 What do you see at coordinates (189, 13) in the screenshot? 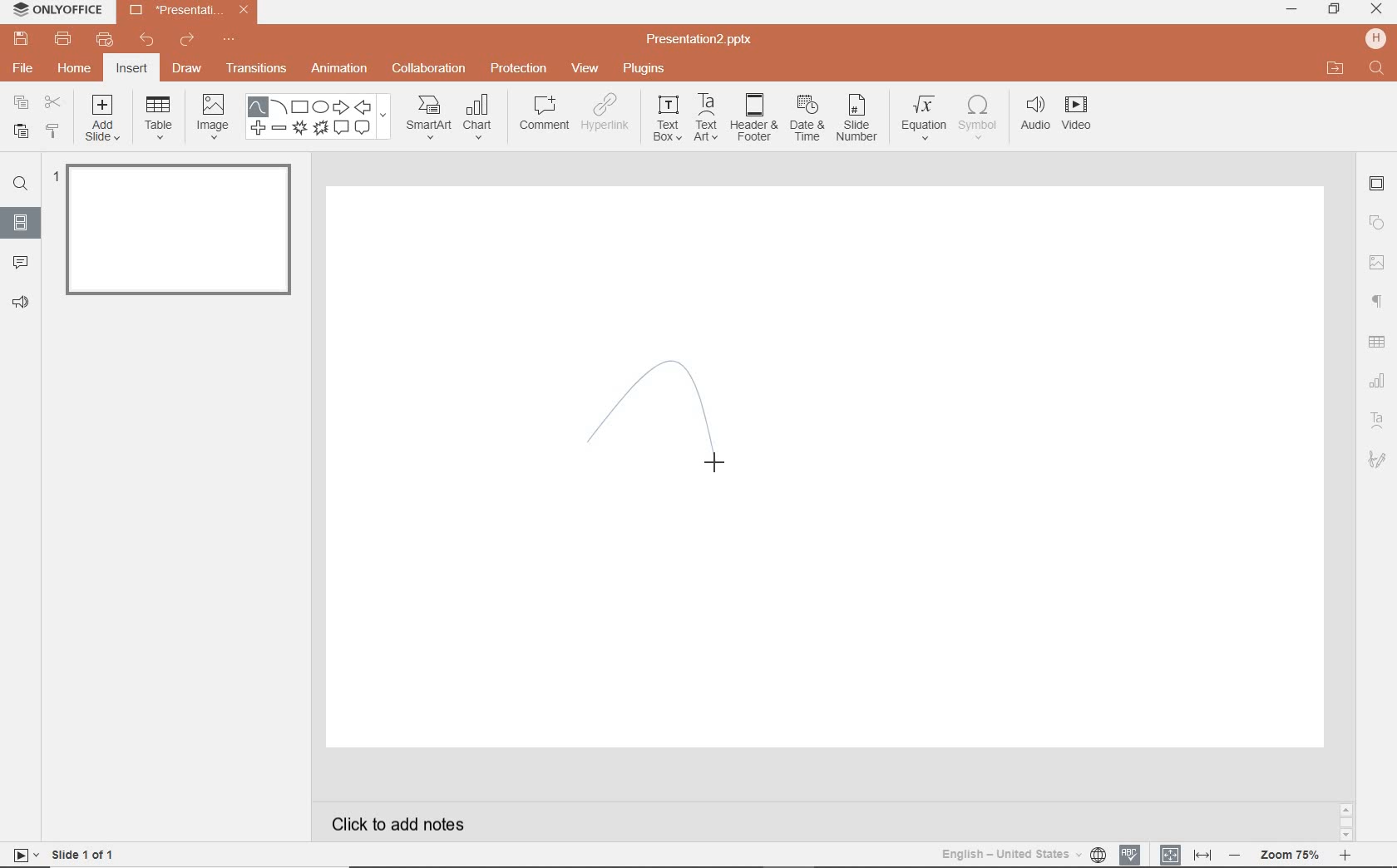
I see `Presentation2.pptx` at bounding box center [189, 13].